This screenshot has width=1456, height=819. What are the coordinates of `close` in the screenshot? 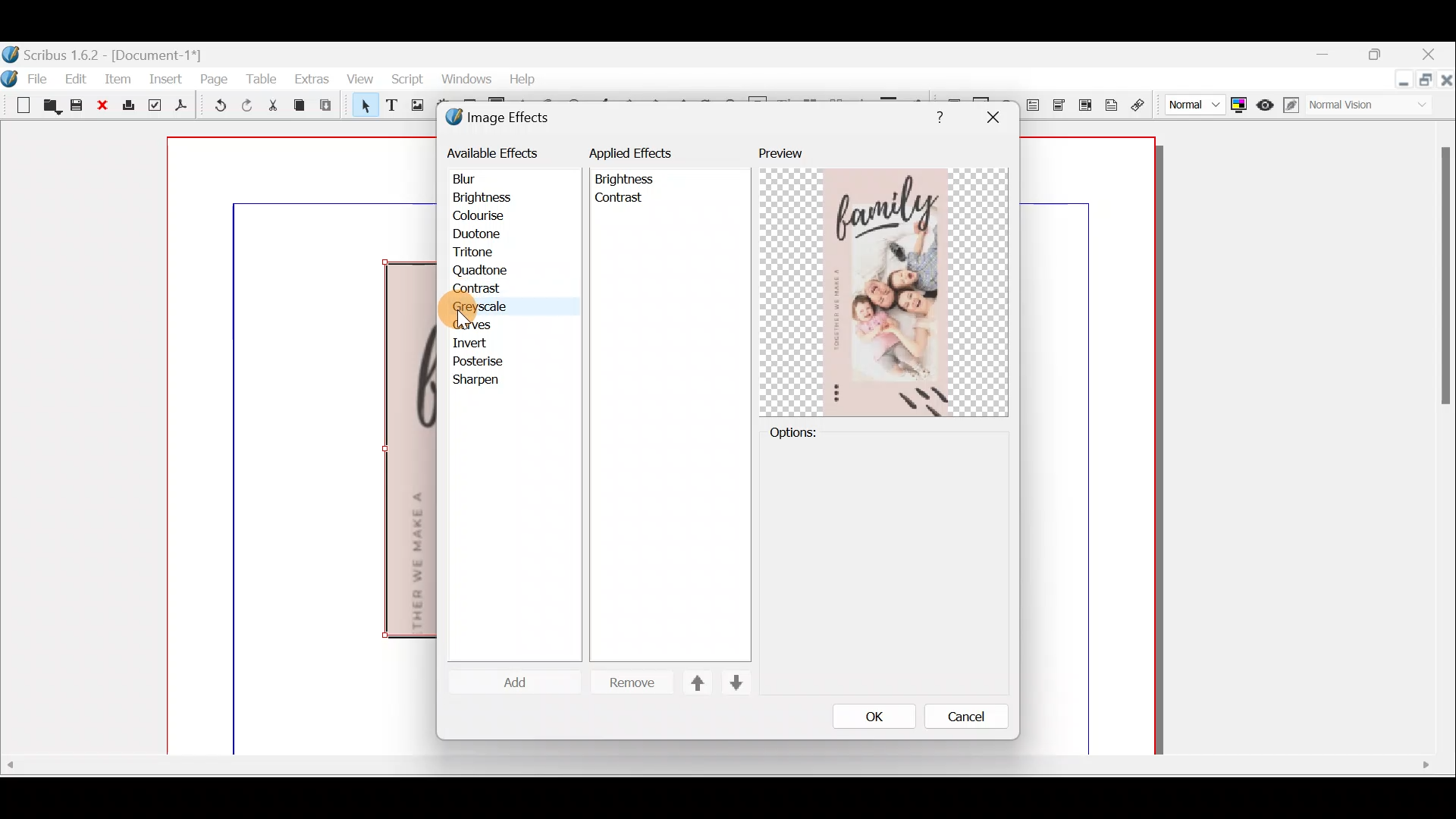 It's located at (995, 116).